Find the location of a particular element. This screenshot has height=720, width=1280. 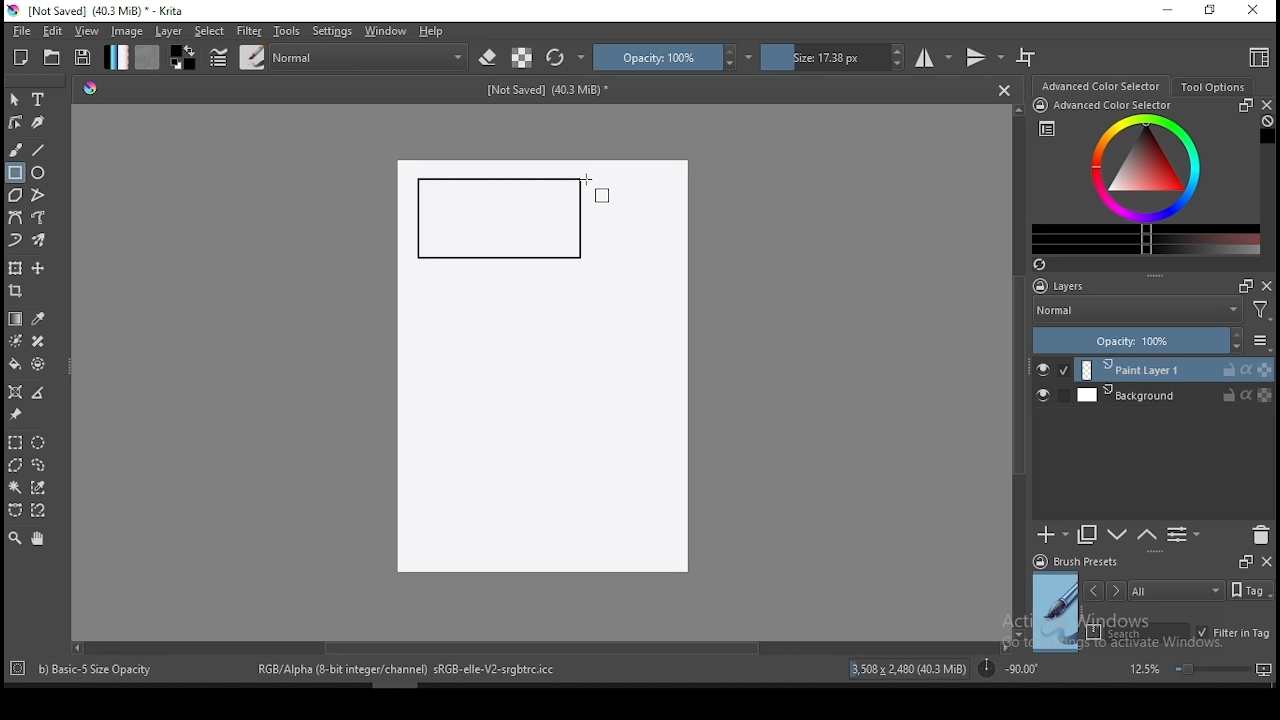

scroll bar is located at coordinates (539, 646).